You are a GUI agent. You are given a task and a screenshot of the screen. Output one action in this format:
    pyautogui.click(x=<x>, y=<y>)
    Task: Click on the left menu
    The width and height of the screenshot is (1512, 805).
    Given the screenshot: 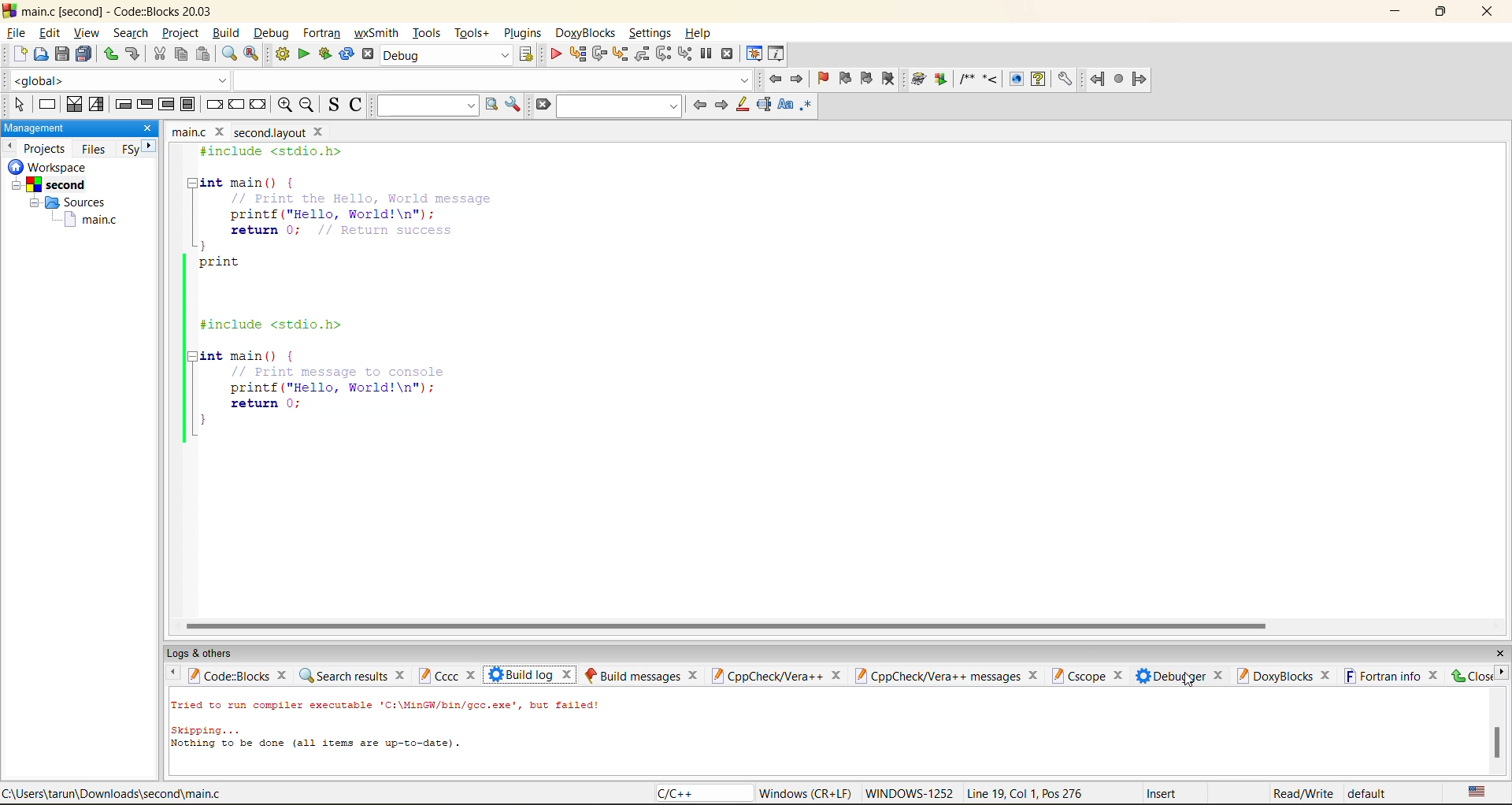 What is the action you would take?
    pyautogui.click(x=172, y=676)
    